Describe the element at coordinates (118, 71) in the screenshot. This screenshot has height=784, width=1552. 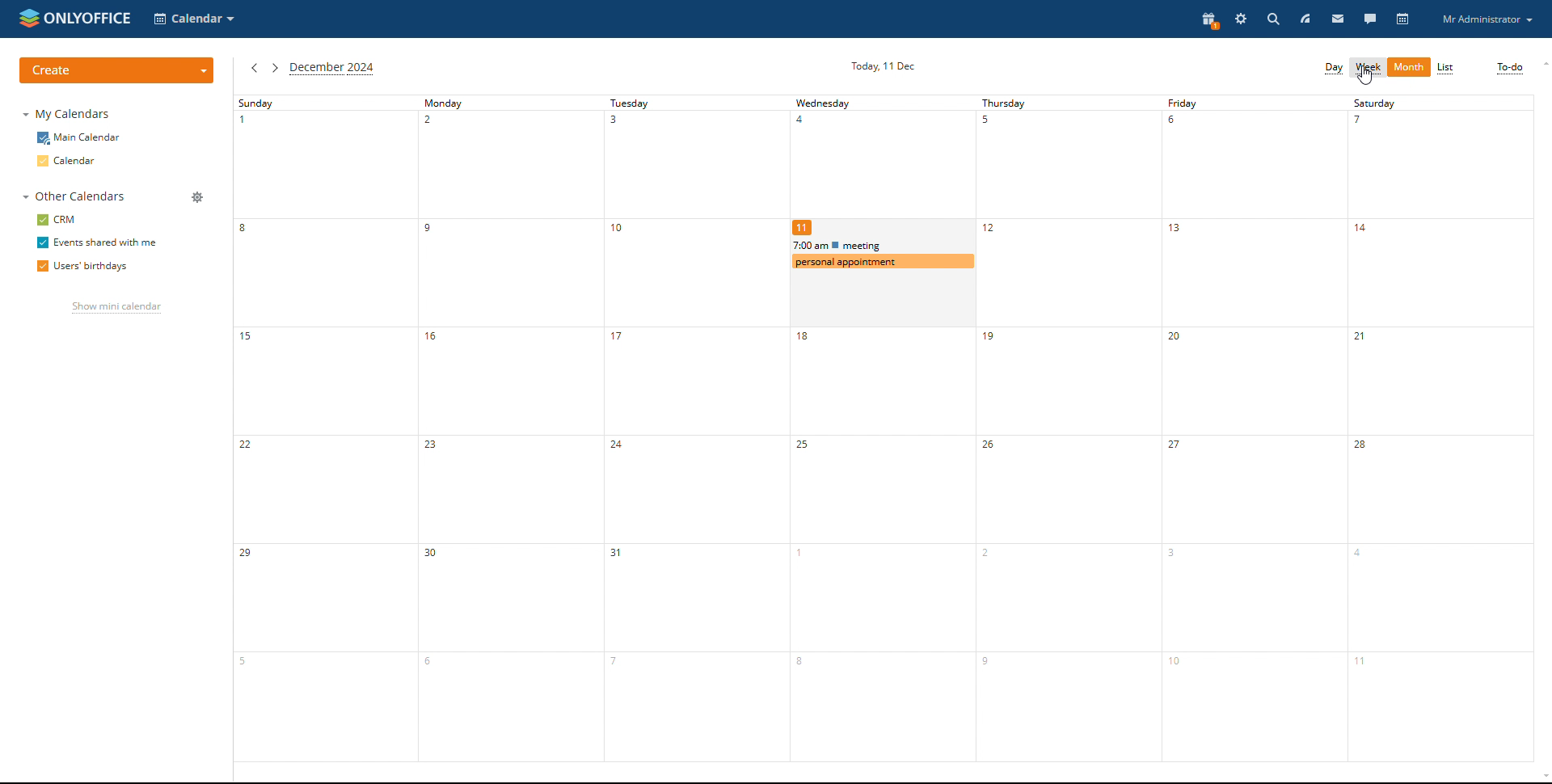
I see `create` at that location.